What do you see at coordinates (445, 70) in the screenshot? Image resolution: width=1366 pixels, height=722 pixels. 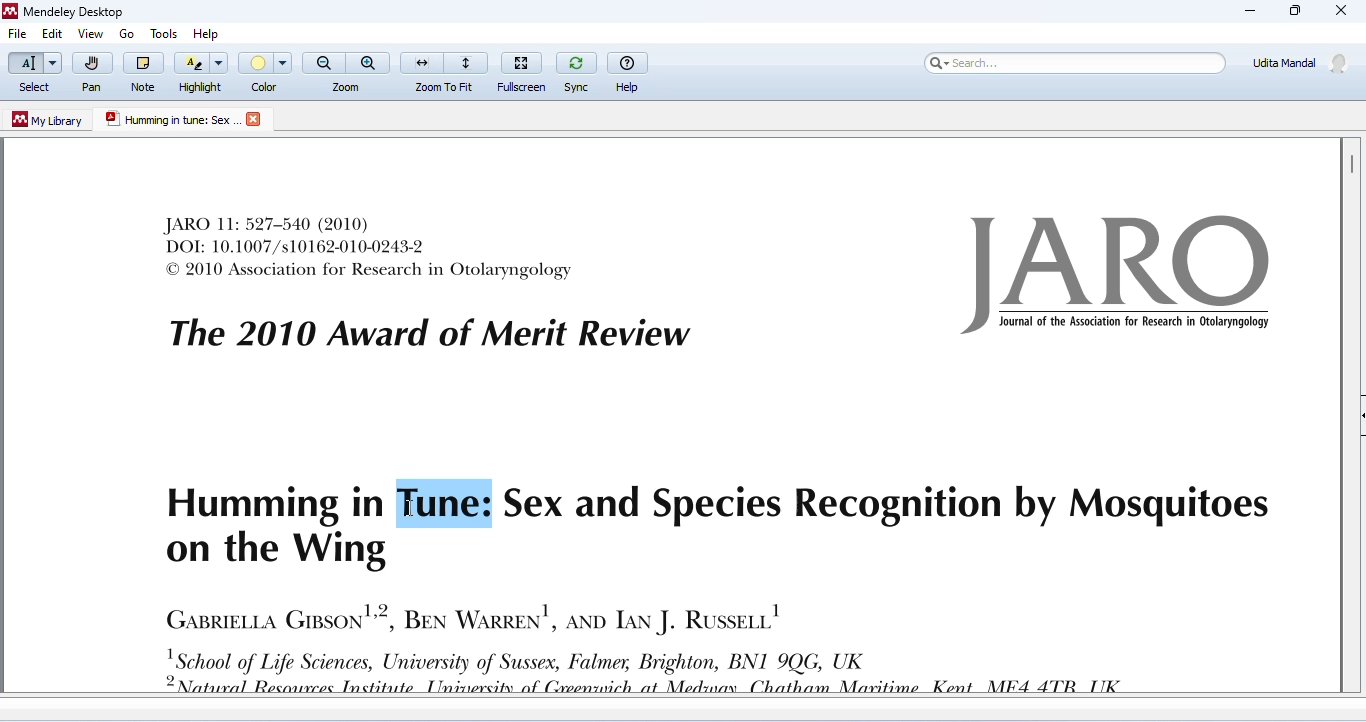 I see `zoom to fit` at bounding box center [445, 70].